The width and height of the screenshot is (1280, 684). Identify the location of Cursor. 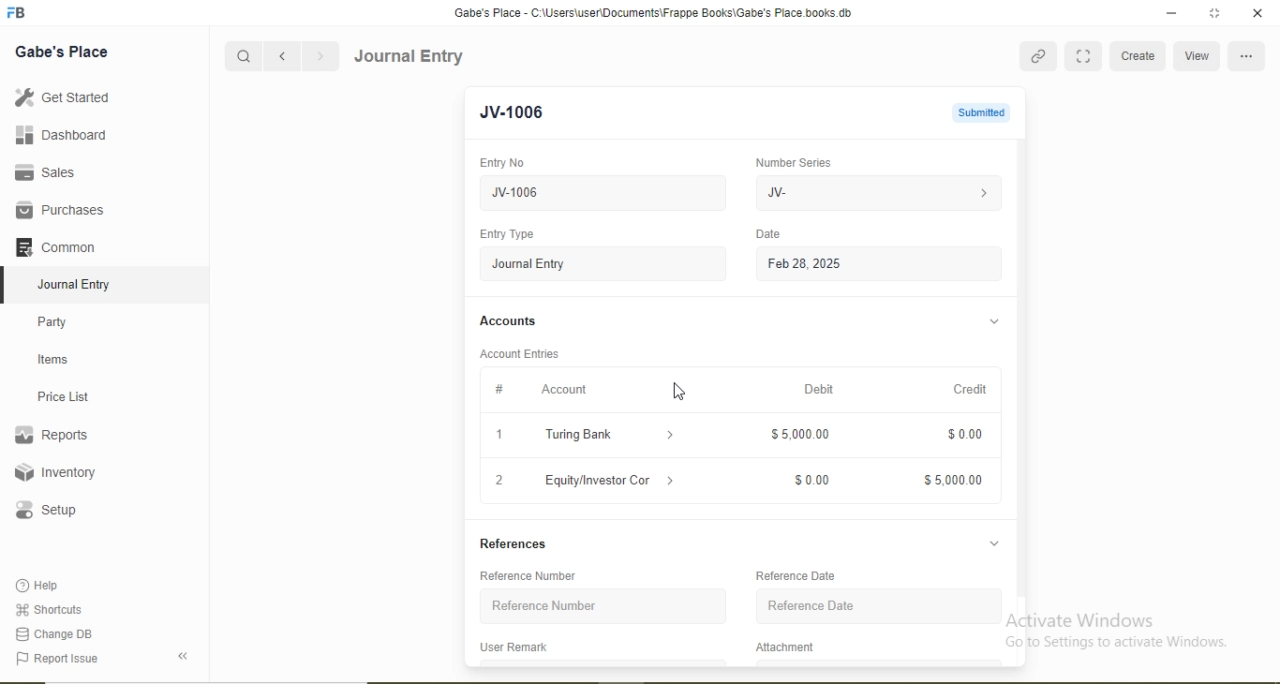
(677, 393).